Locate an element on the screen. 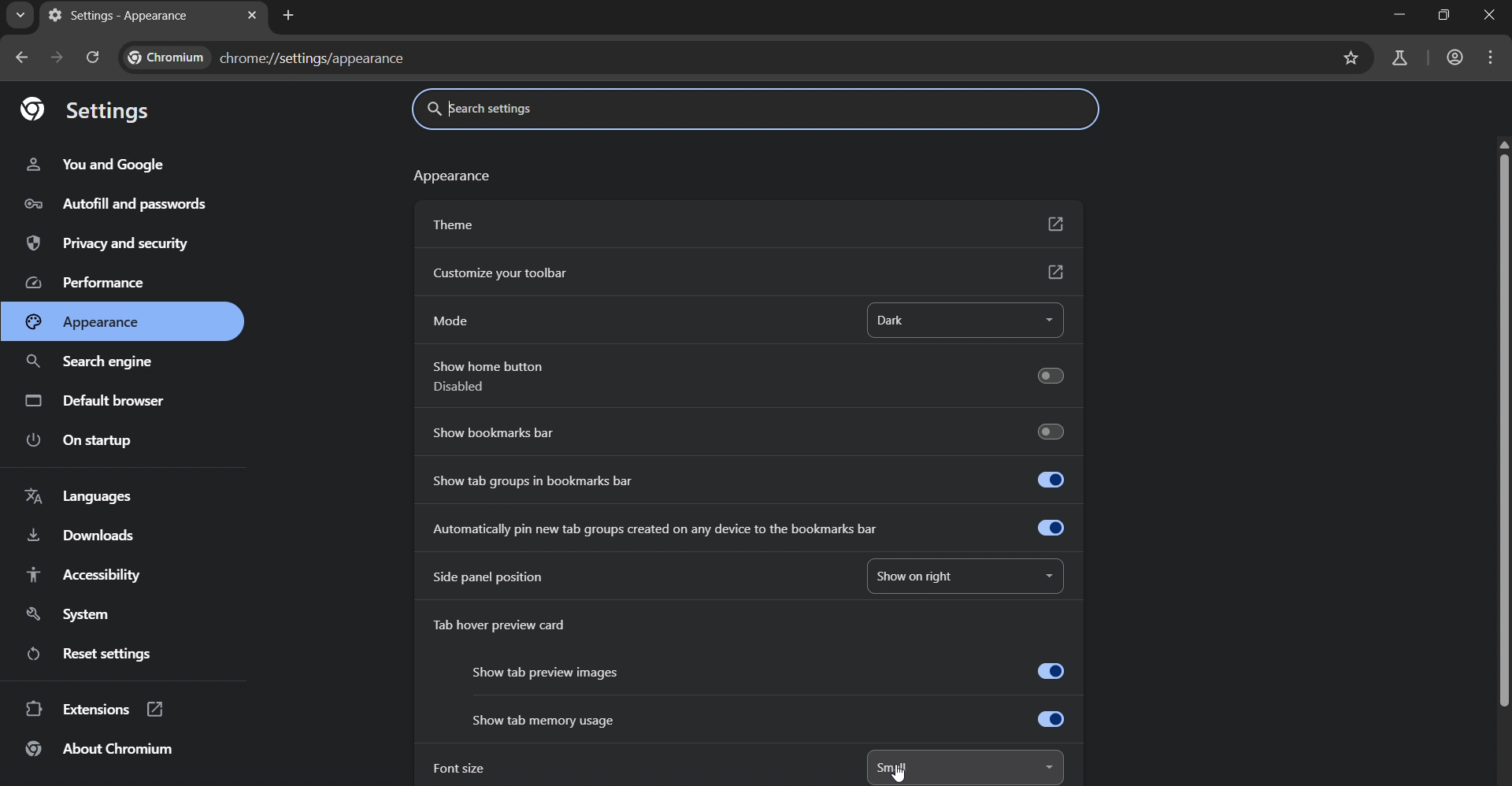 The height and width of the screenshot is (786, 1512). automatically pin new tab created on any device to the bookmarks bar is located at coordinates (753, 528).